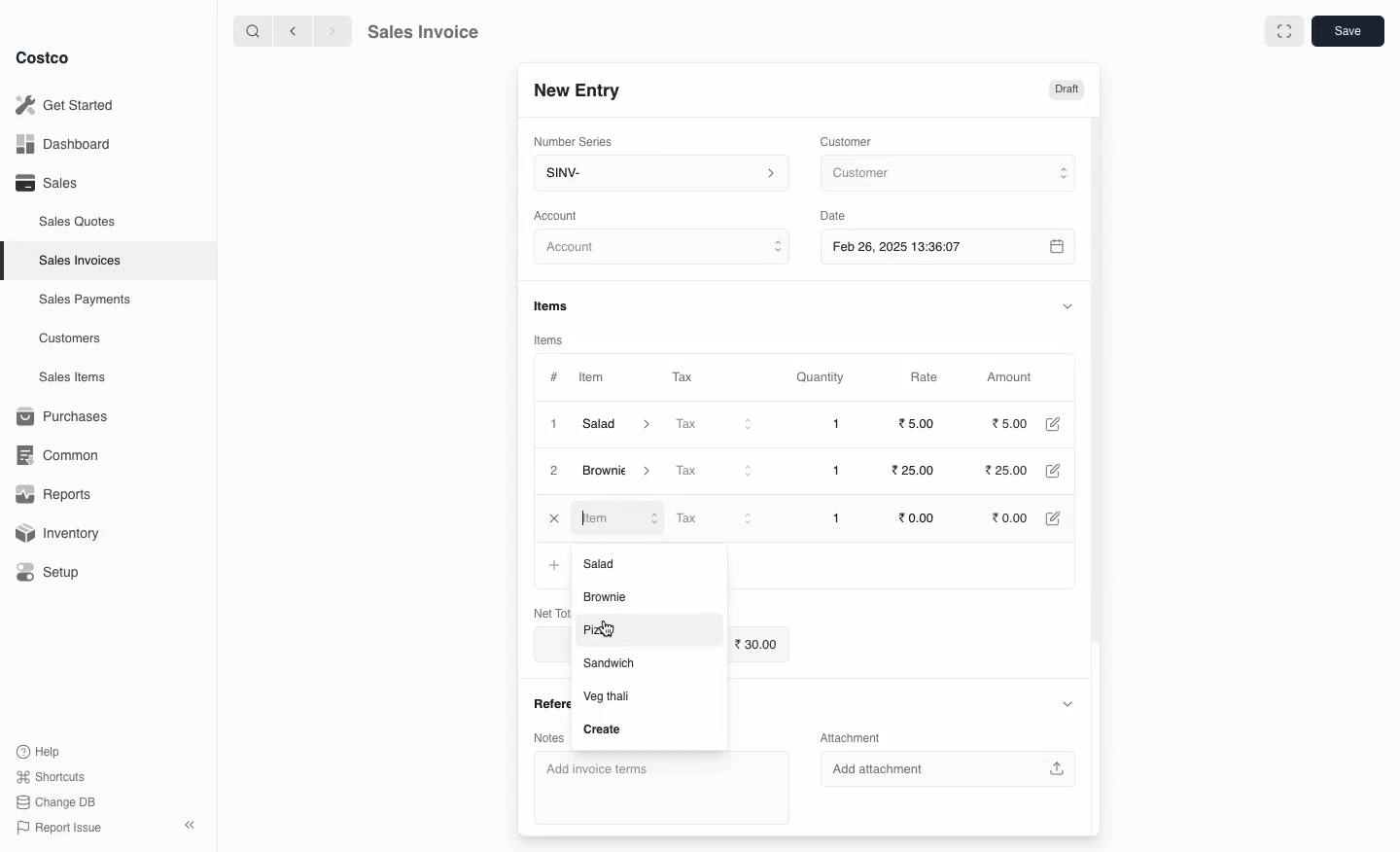 The height and width of the screenshot is (852, 1400). What do you see at coordinates (838, 216) in the screenshot?
I see `Date` at bounding box center [838, 216].